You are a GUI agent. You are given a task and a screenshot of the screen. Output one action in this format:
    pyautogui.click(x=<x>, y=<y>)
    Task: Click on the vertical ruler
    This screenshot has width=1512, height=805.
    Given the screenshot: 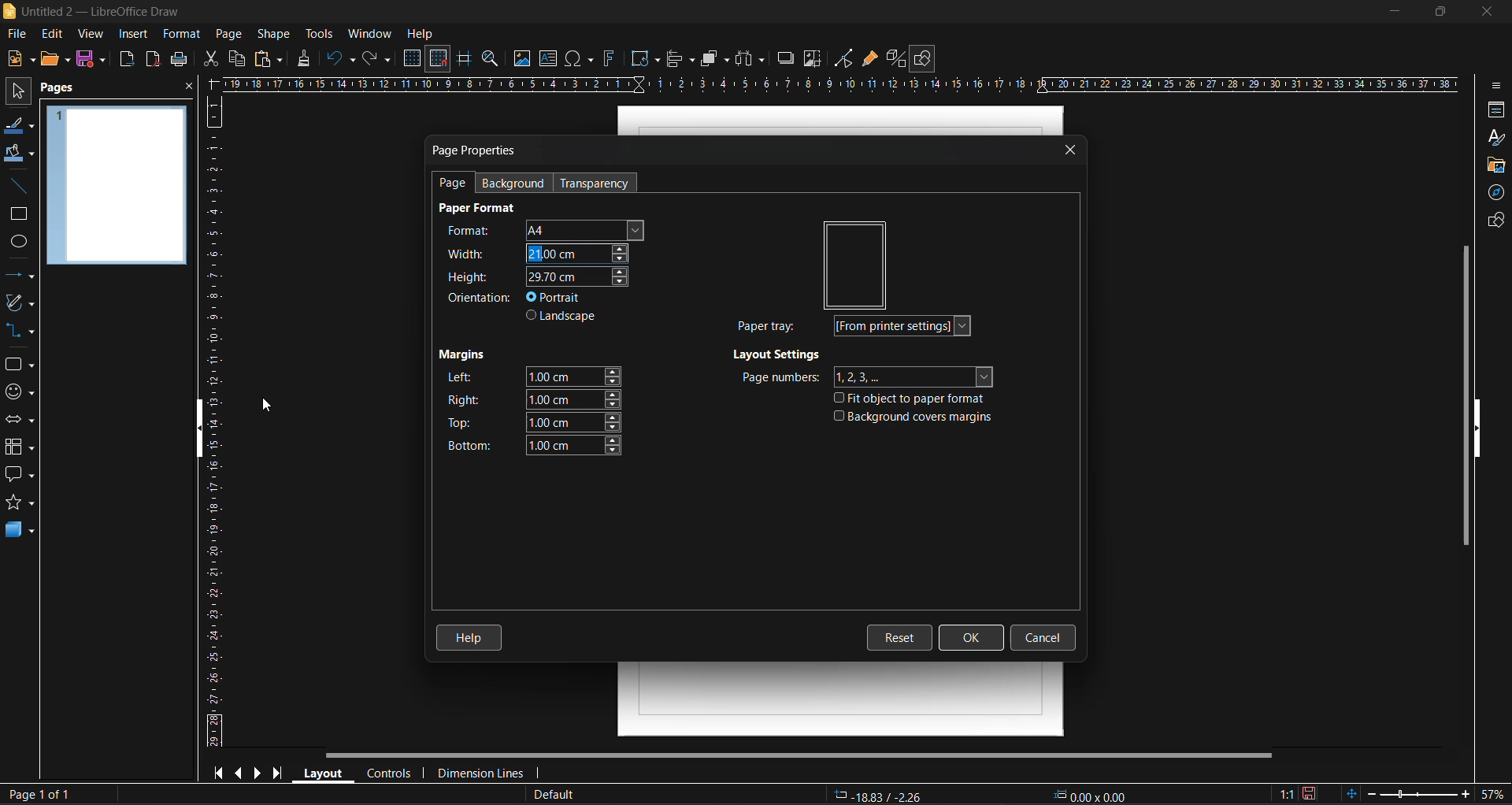 What is the action you would take?
    pyautogui.click(x=213, y=425)
    